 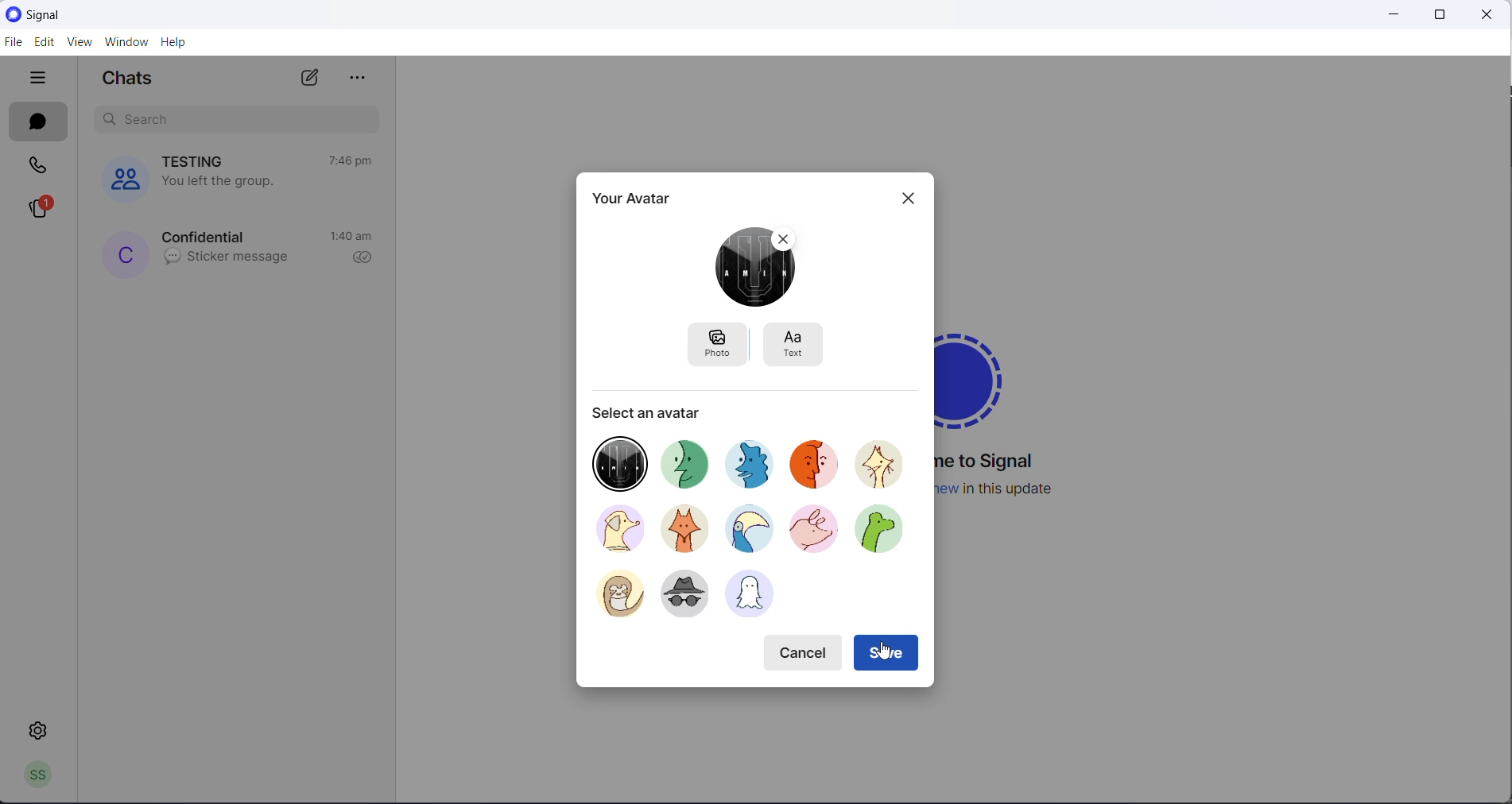 I want to click on avatar, so click(x=886, y=464).